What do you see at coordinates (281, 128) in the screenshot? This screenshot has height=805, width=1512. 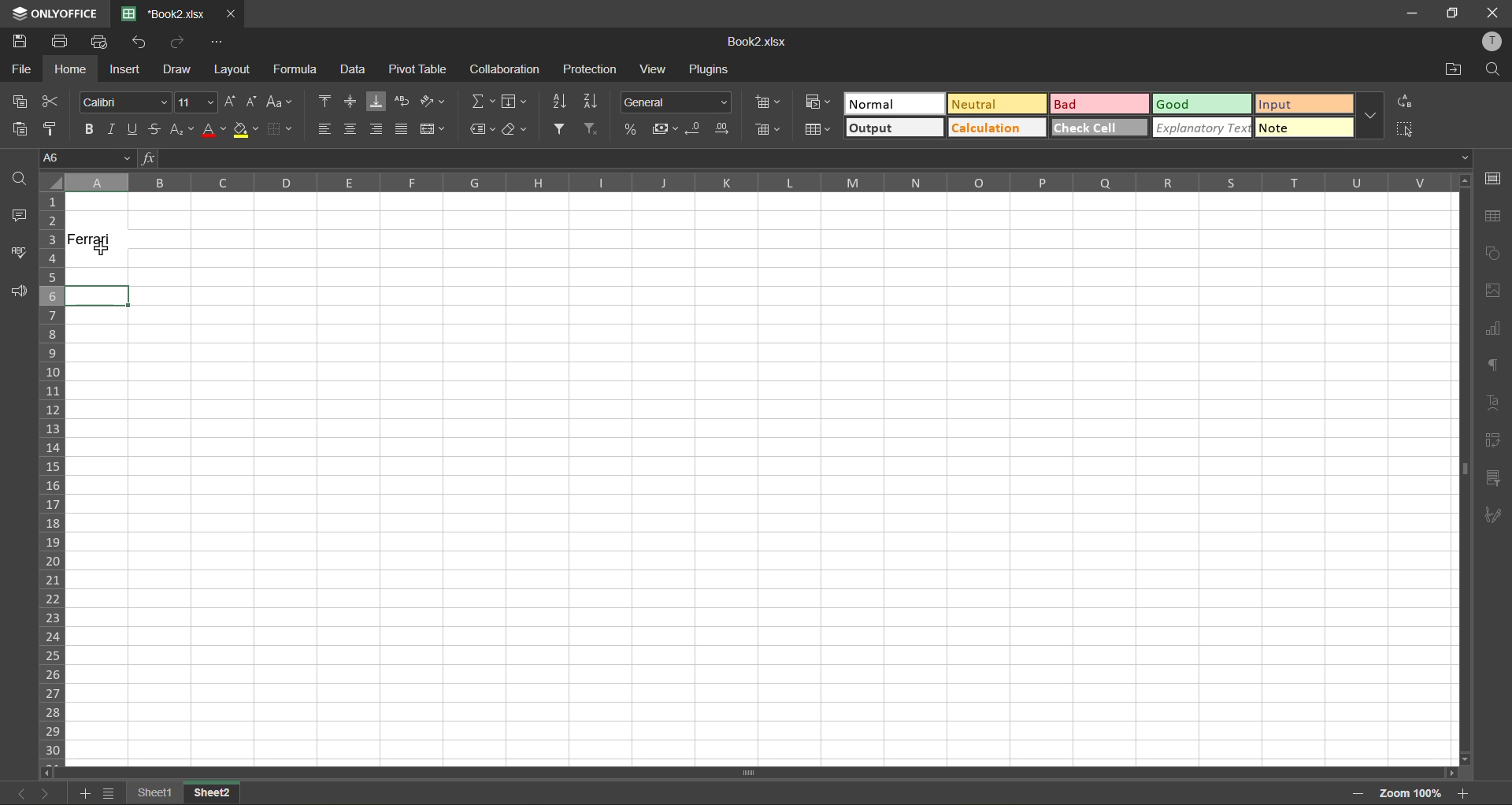 I see `borders` at bounding box center [281, 128].